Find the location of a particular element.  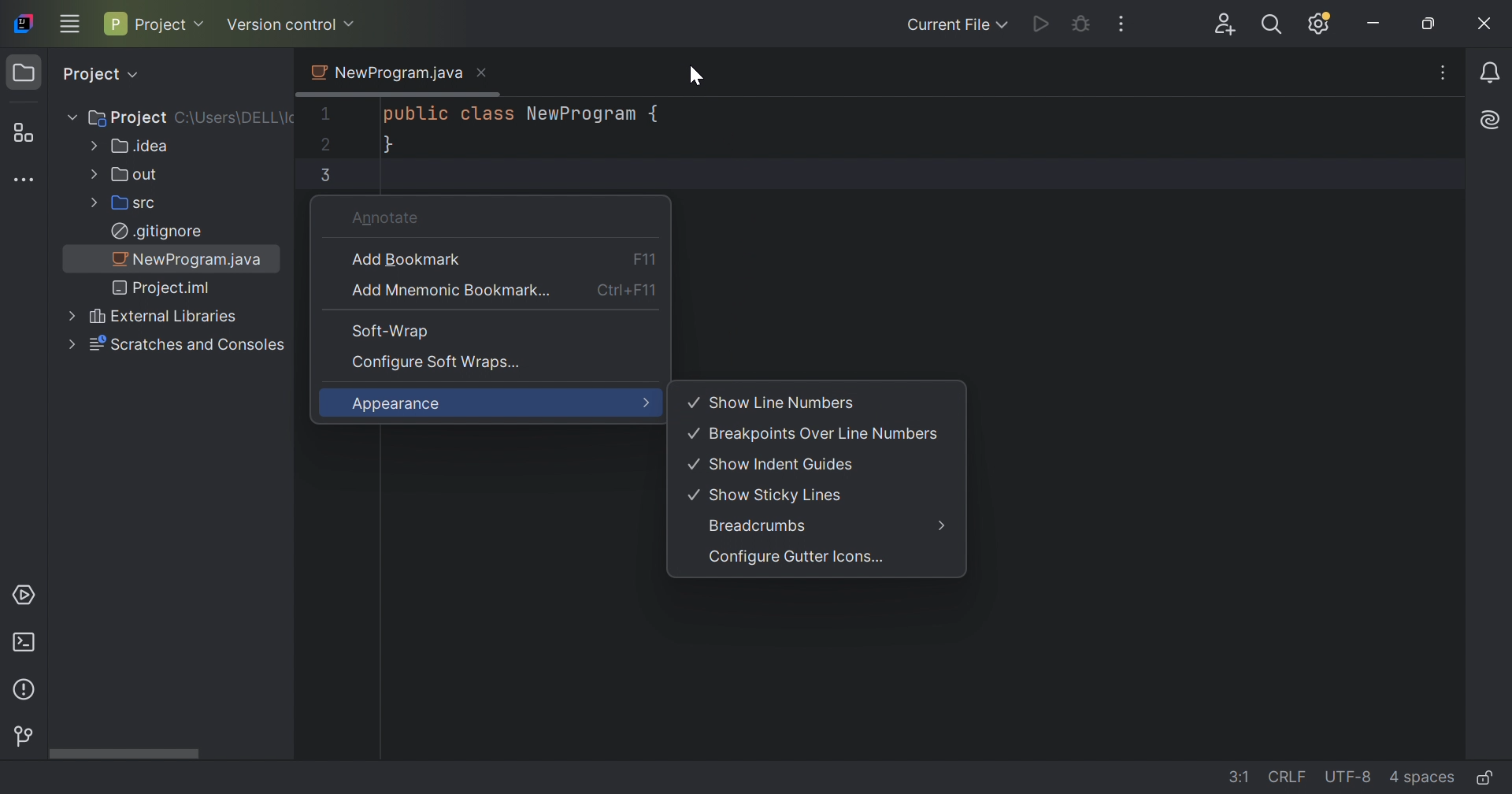

Drop Down is located at coordinates (202, 24).